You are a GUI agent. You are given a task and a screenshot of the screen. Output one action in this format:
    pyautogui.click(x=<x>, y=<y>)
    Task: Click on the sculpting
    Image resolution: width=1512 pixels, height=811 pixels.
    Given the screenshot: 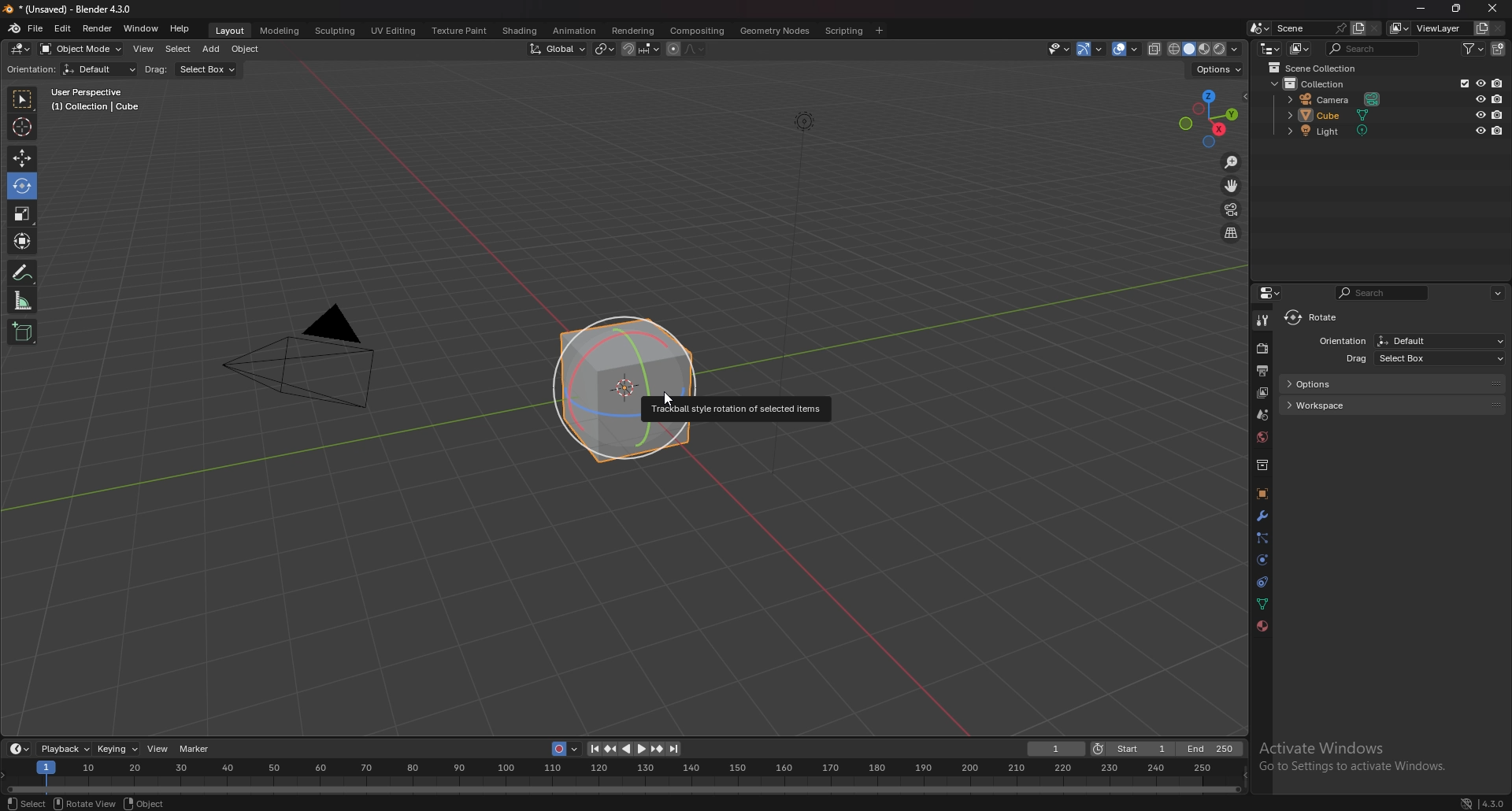 What is the action you would take?
    pyautogui.click(x=337, y=31)
    